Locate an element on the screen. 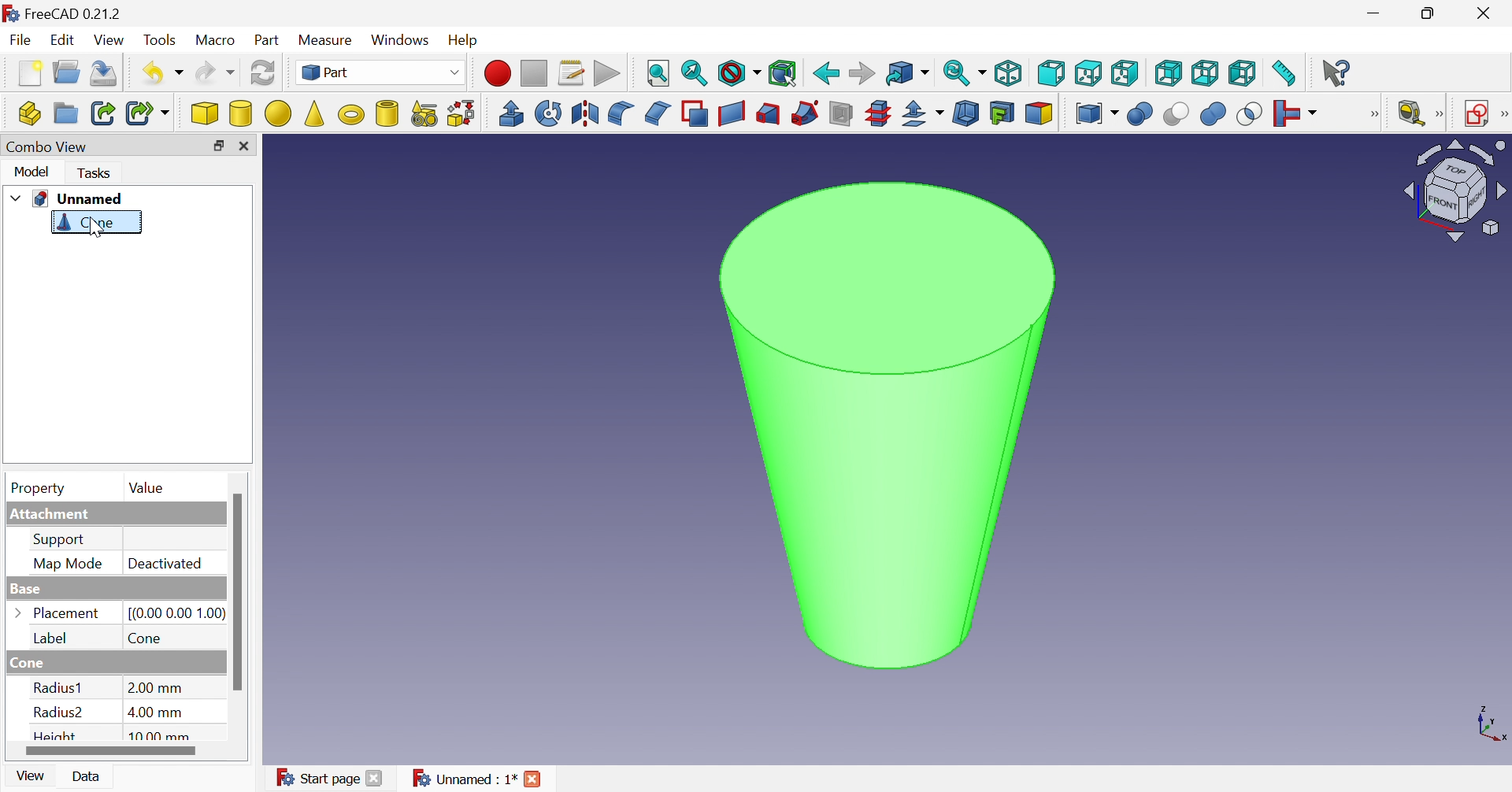 The height and width of the screenshot is (792, 1512). Deactivated is located at coordinates (168, 563).